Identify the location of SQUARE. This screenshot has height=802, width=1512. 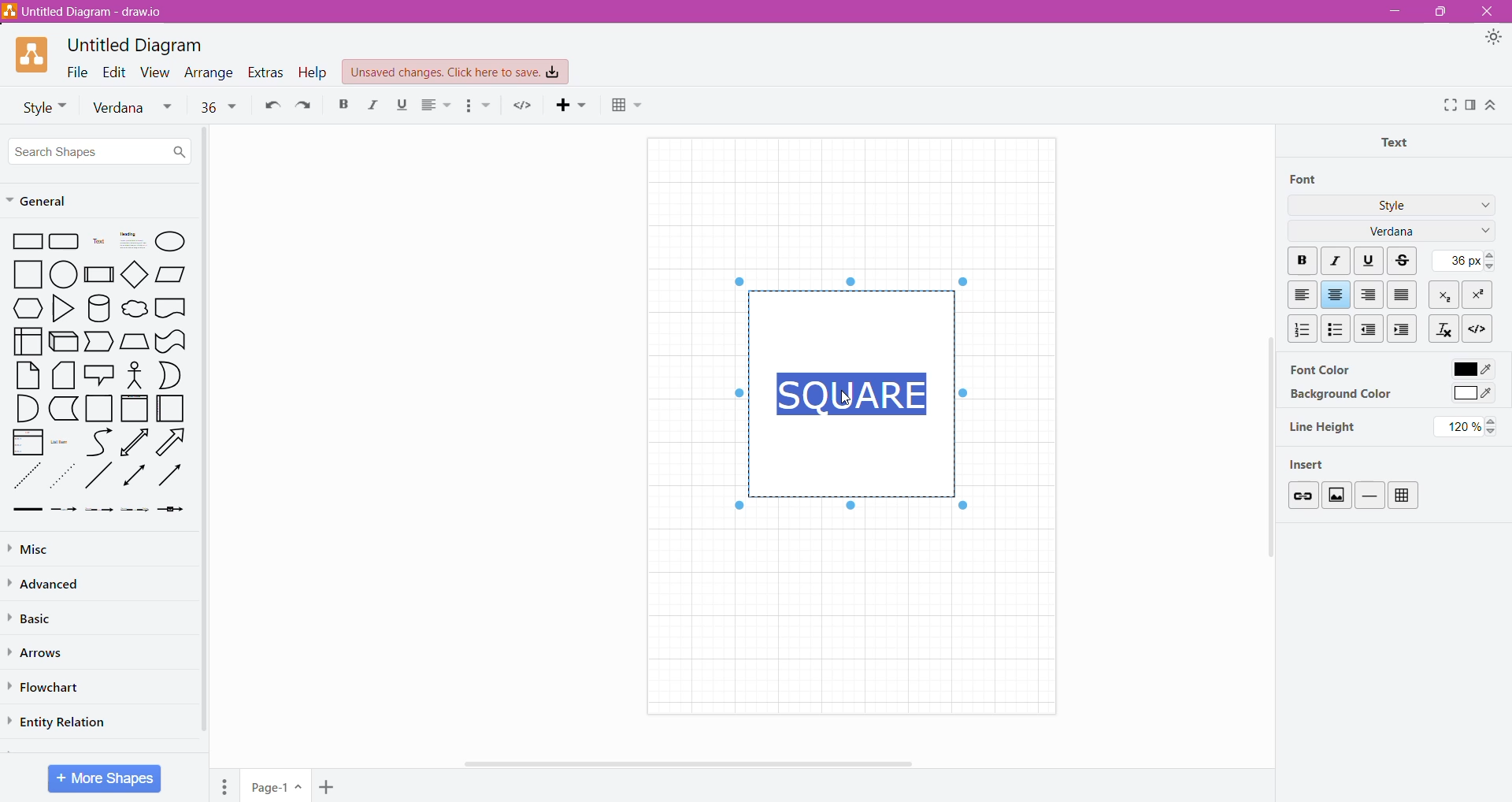
(854, 395).